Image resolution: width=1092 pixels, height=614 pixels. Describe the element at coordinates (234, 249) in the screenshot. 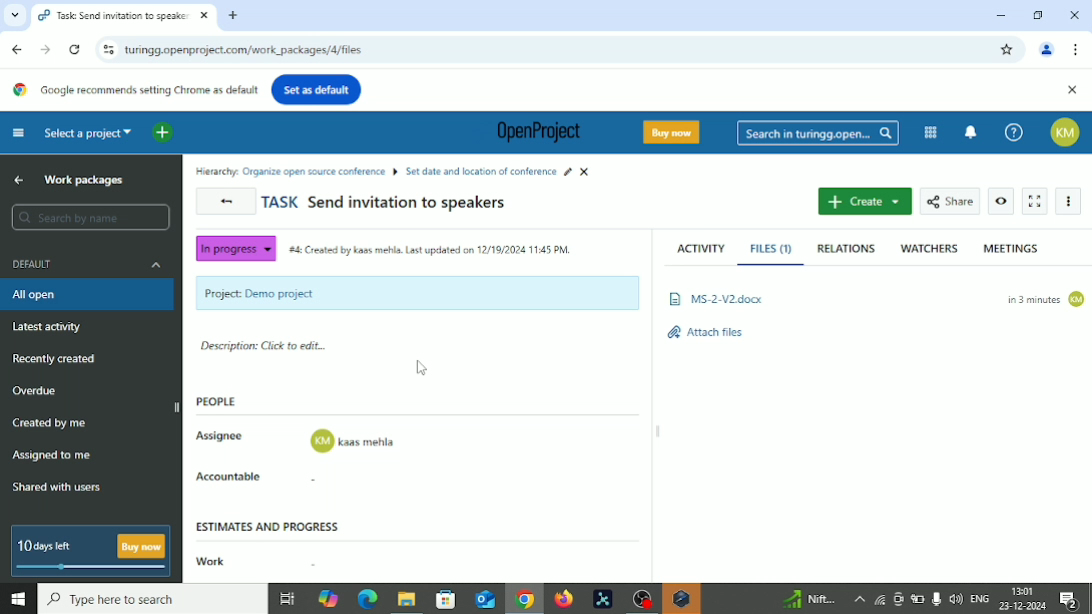

I see `In progress` at that location.